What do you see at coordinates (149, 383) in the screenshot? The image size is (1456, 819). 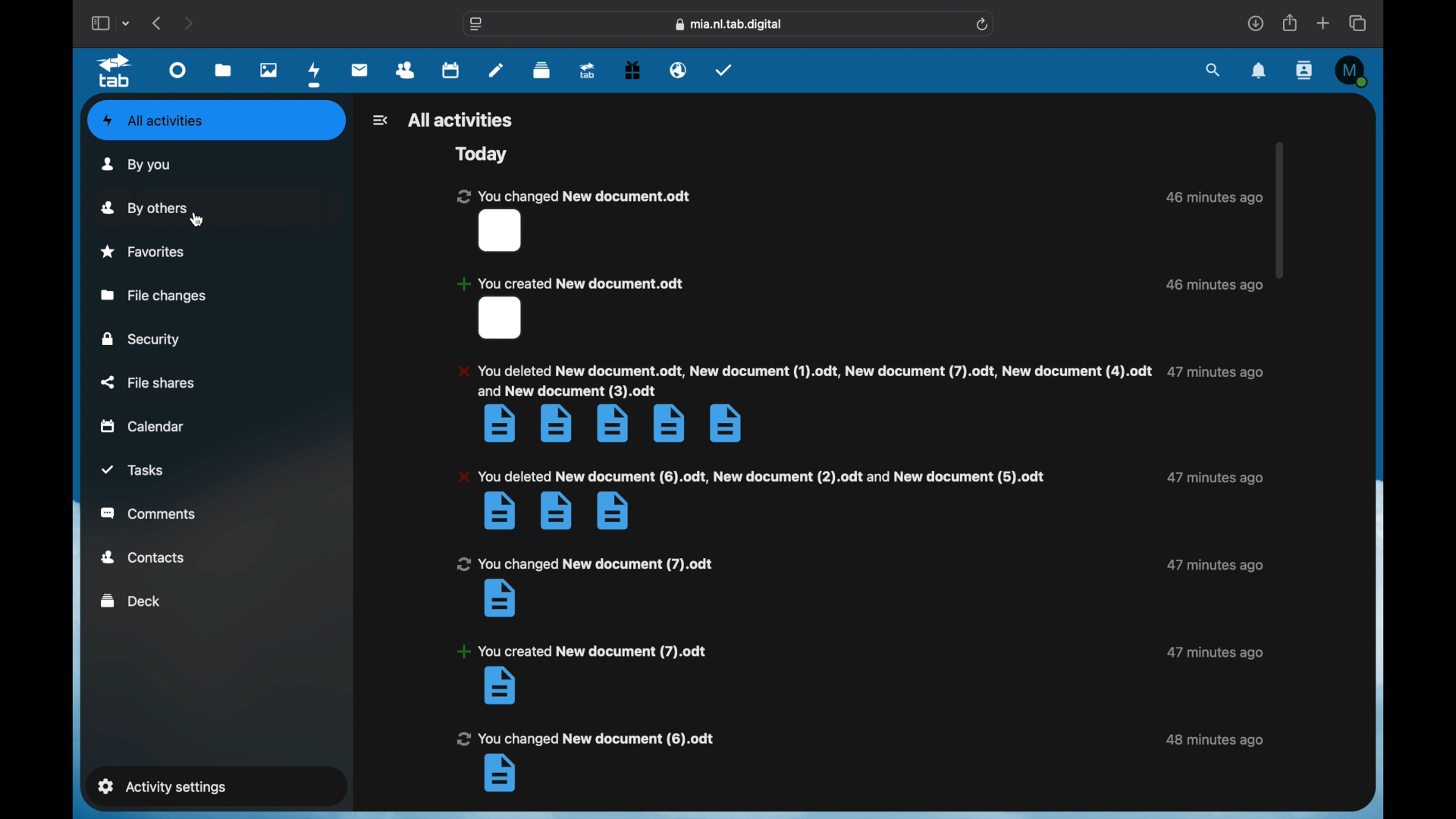 I see `file shares` at bounding box center [149, 383].